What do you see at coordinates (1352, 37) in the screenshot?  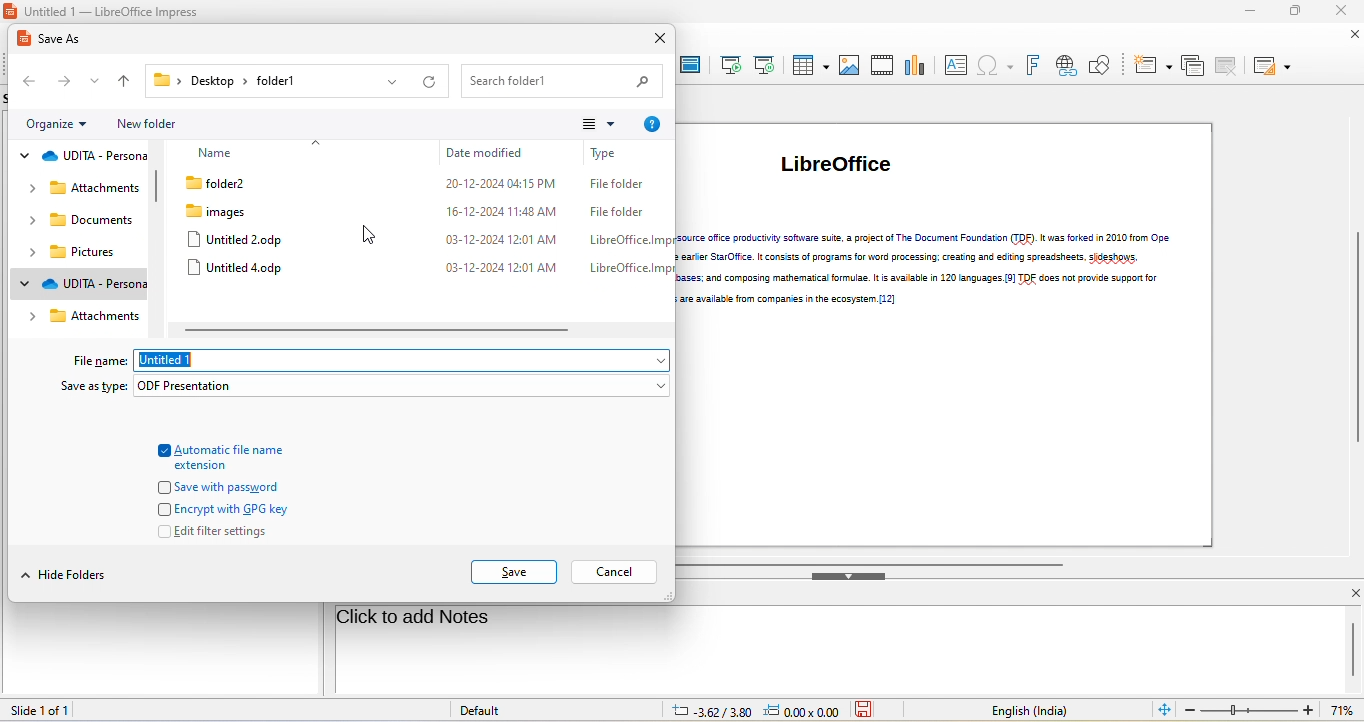 I see `close` at bounding box center [1352, 37].